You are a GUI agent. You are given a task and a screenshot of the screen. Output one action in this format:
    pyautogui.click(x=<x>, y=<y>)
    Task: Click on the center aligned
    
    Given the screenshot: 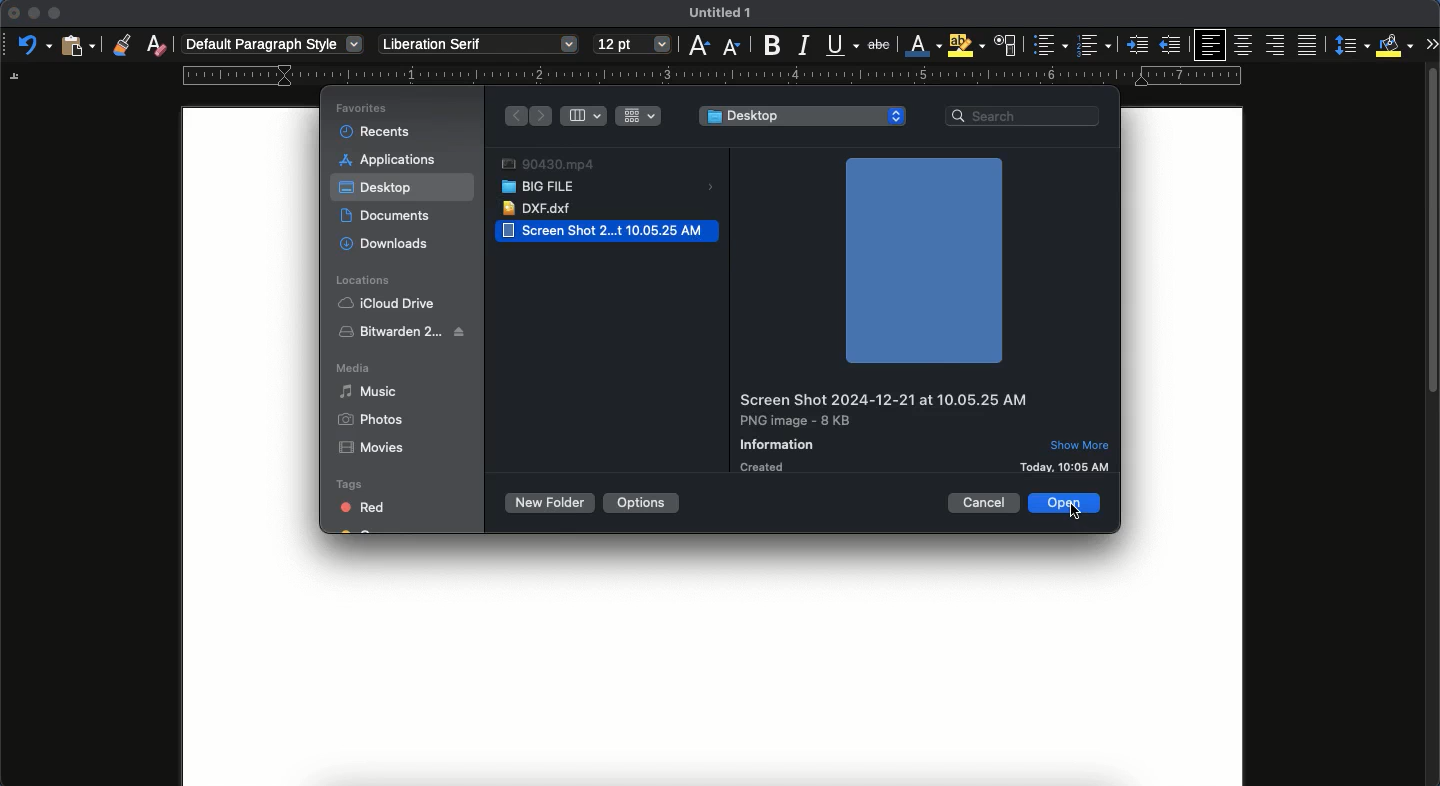 What is the action you would take?
    pyautogui.click(x=1246, y=44)
    